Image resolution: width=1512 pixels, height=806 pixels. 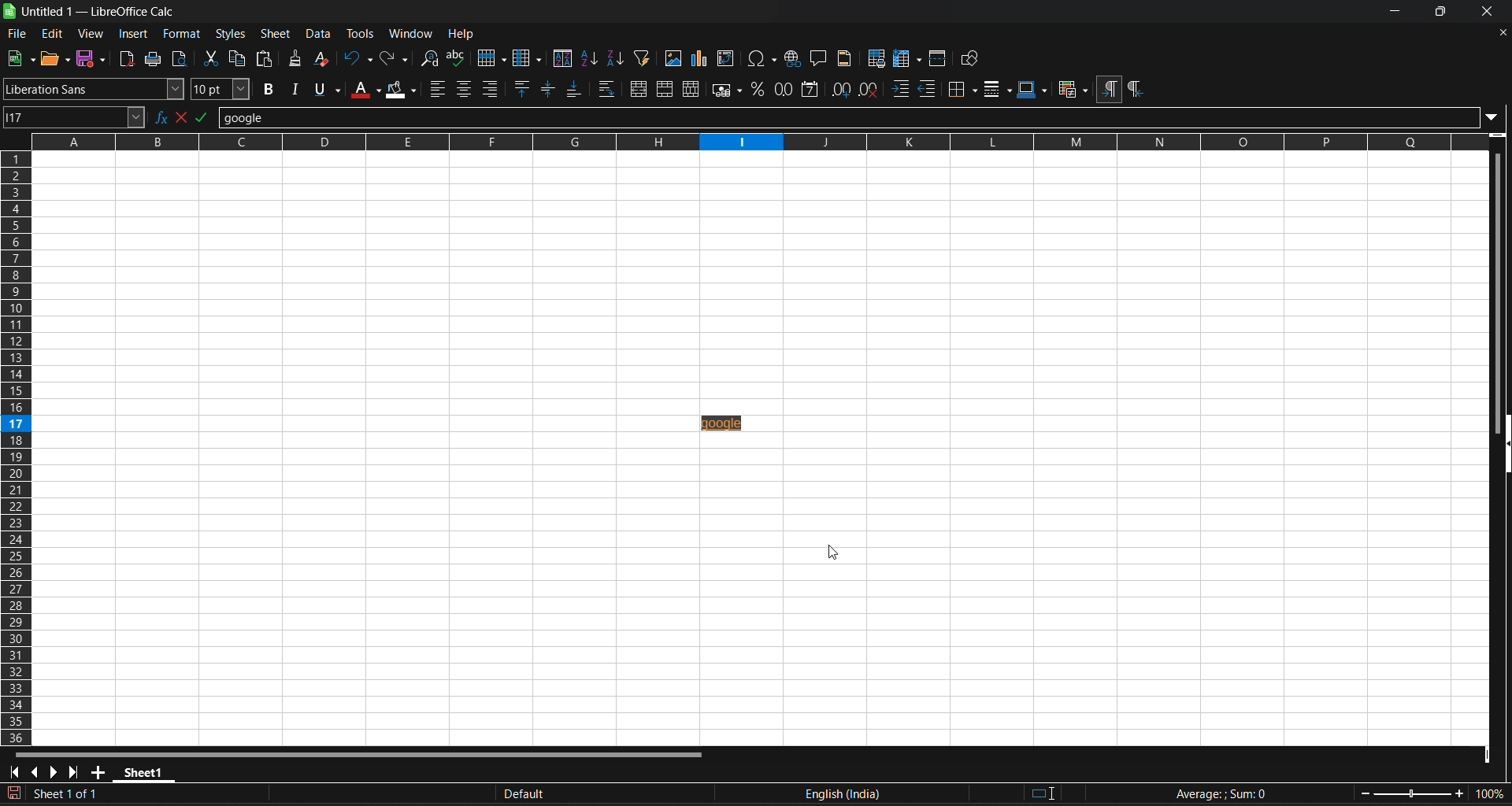 What do you see at coordinates (295, 59) in the screenshot?
I see `clone formating` at bounding box center [295, 59].